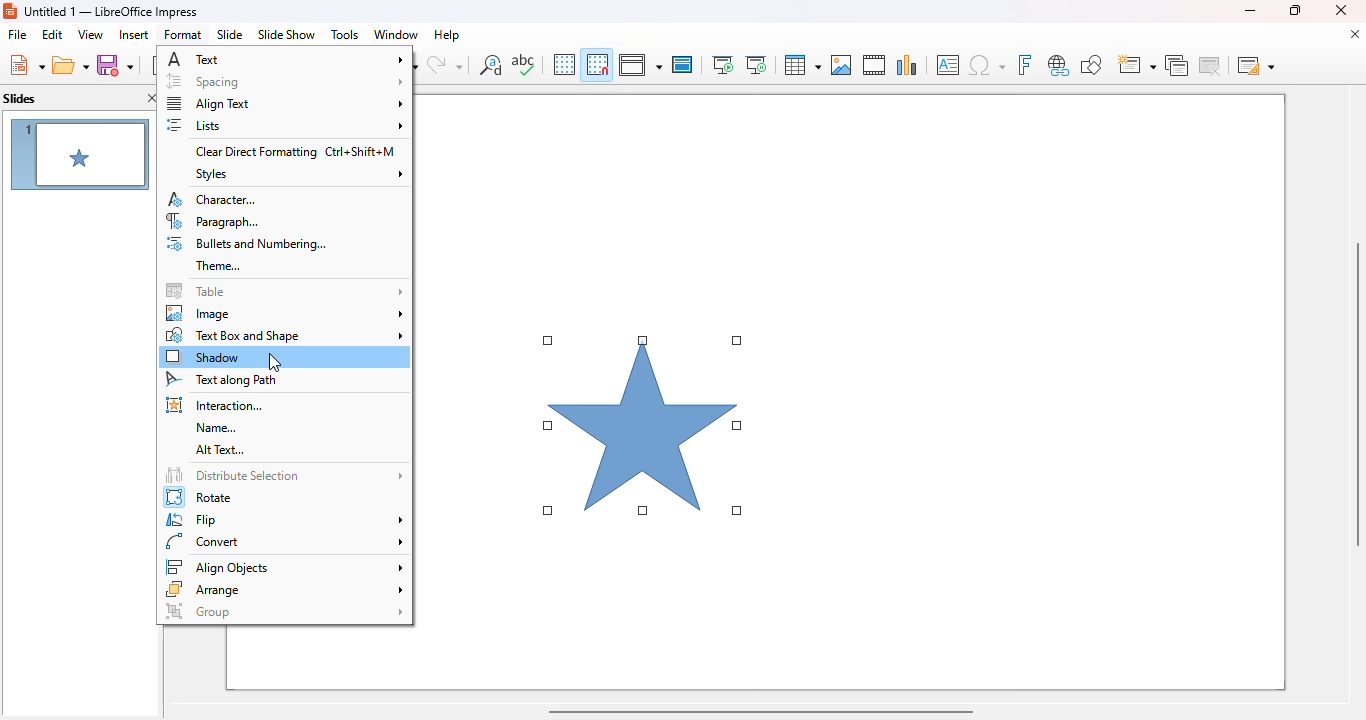 This screenshot has width=1366, height=720. I want to click on new slide, so click(1135, 65).